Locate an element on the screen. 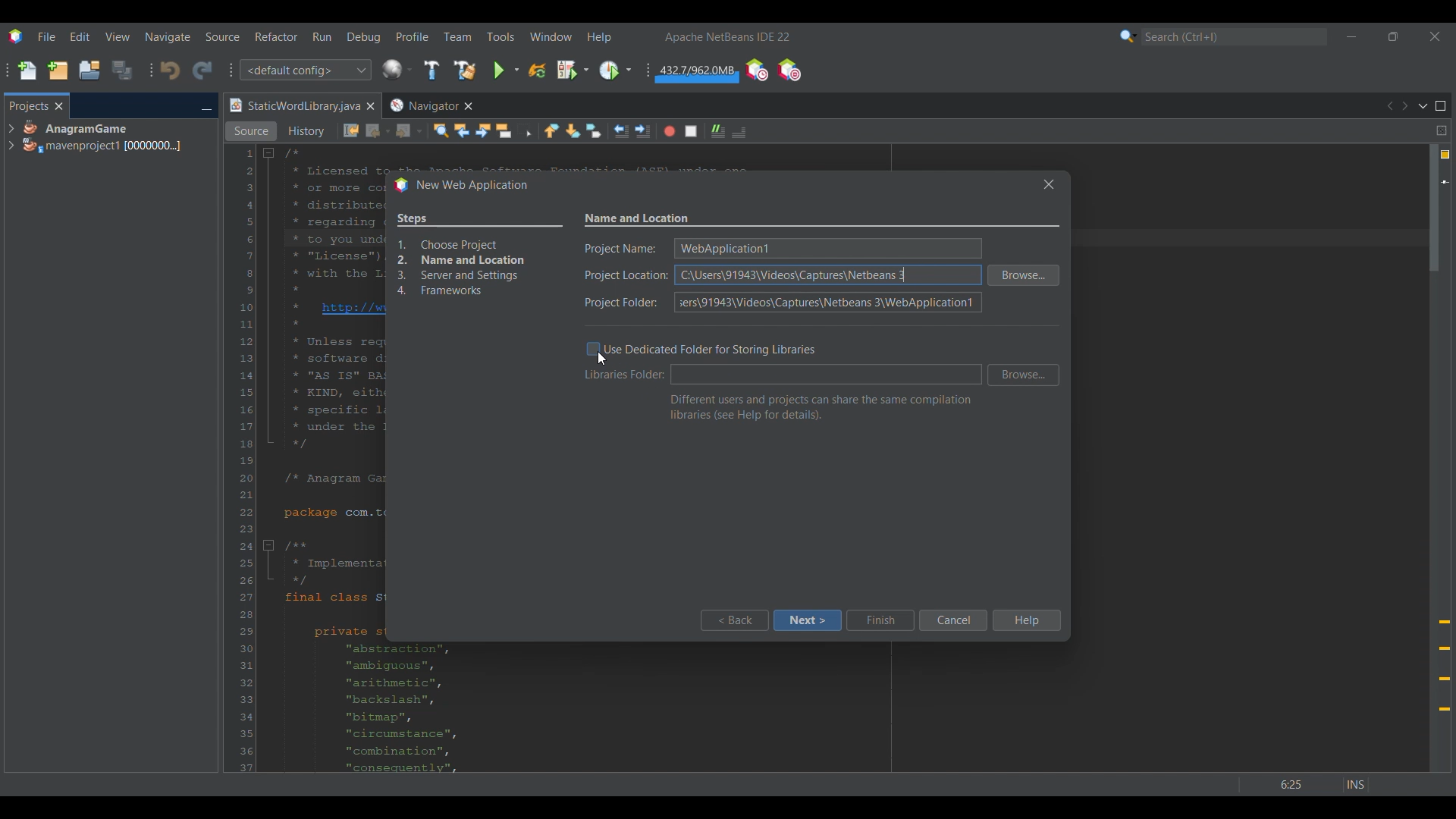 The image size is (1456, 819). Profile menu is located at coordinates (413, 36).